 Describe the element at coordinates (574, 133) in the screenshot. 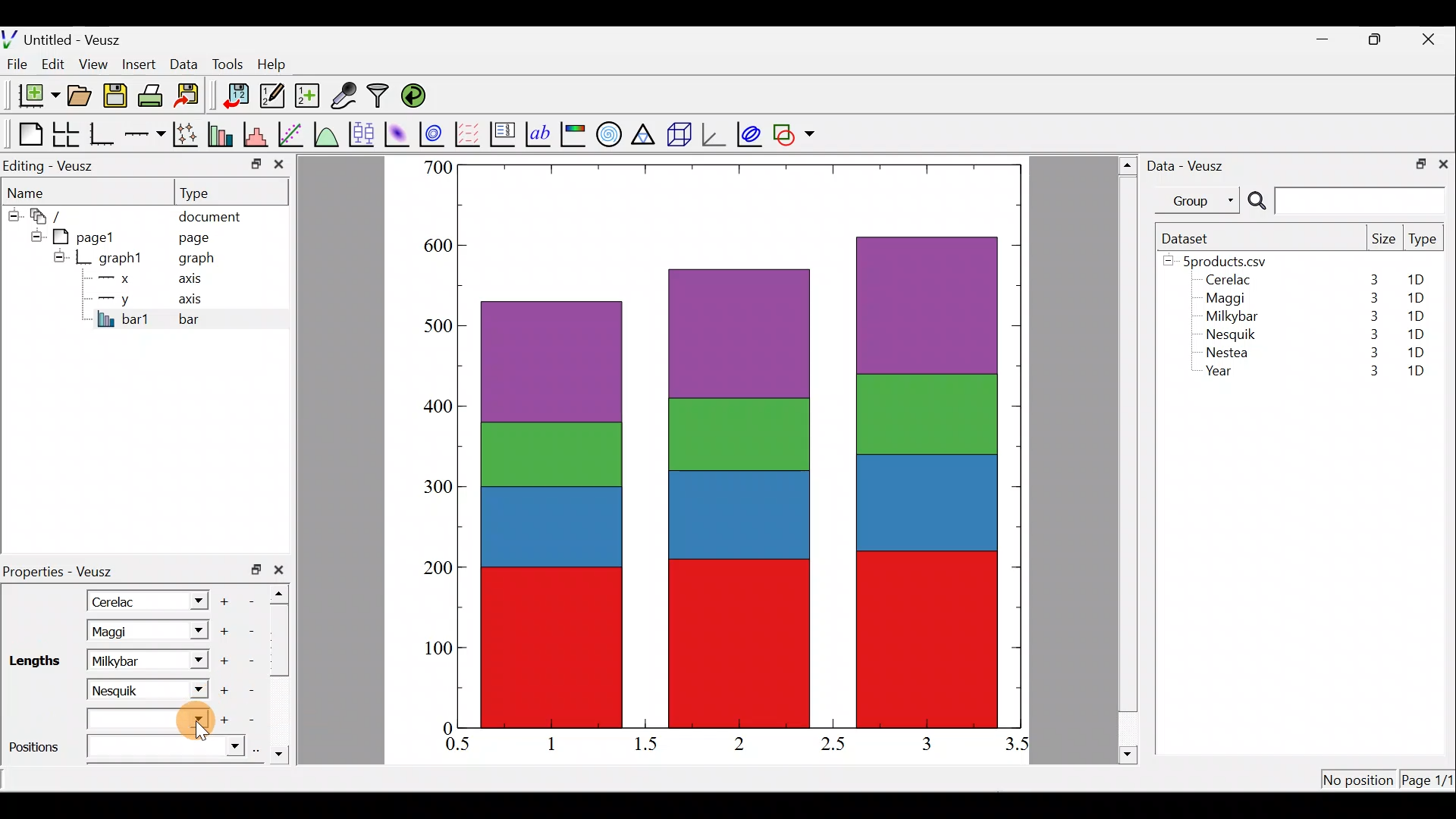

I see `Image color bar` at that location.